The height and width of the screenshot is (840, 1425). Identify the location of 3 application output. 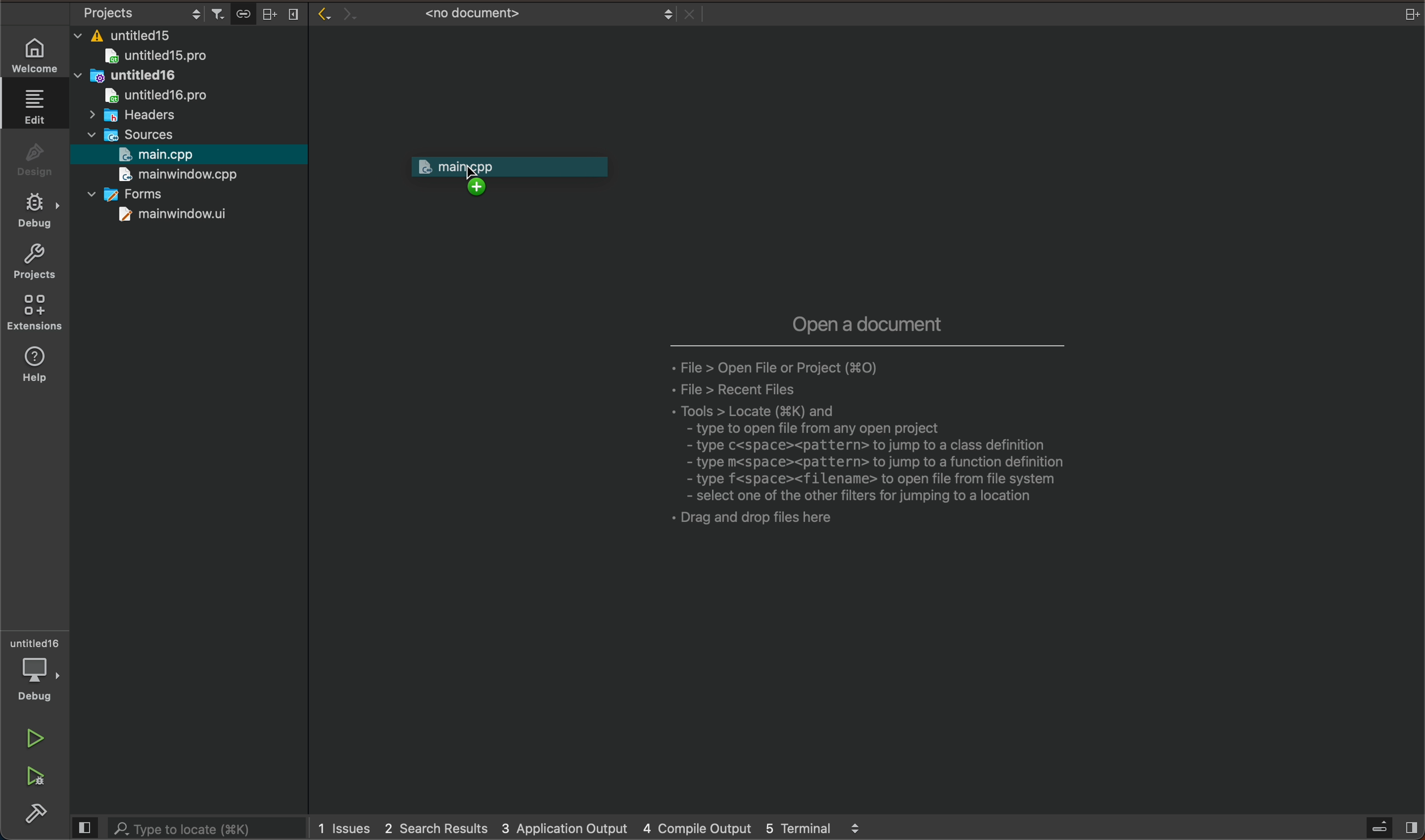
(566, 826).